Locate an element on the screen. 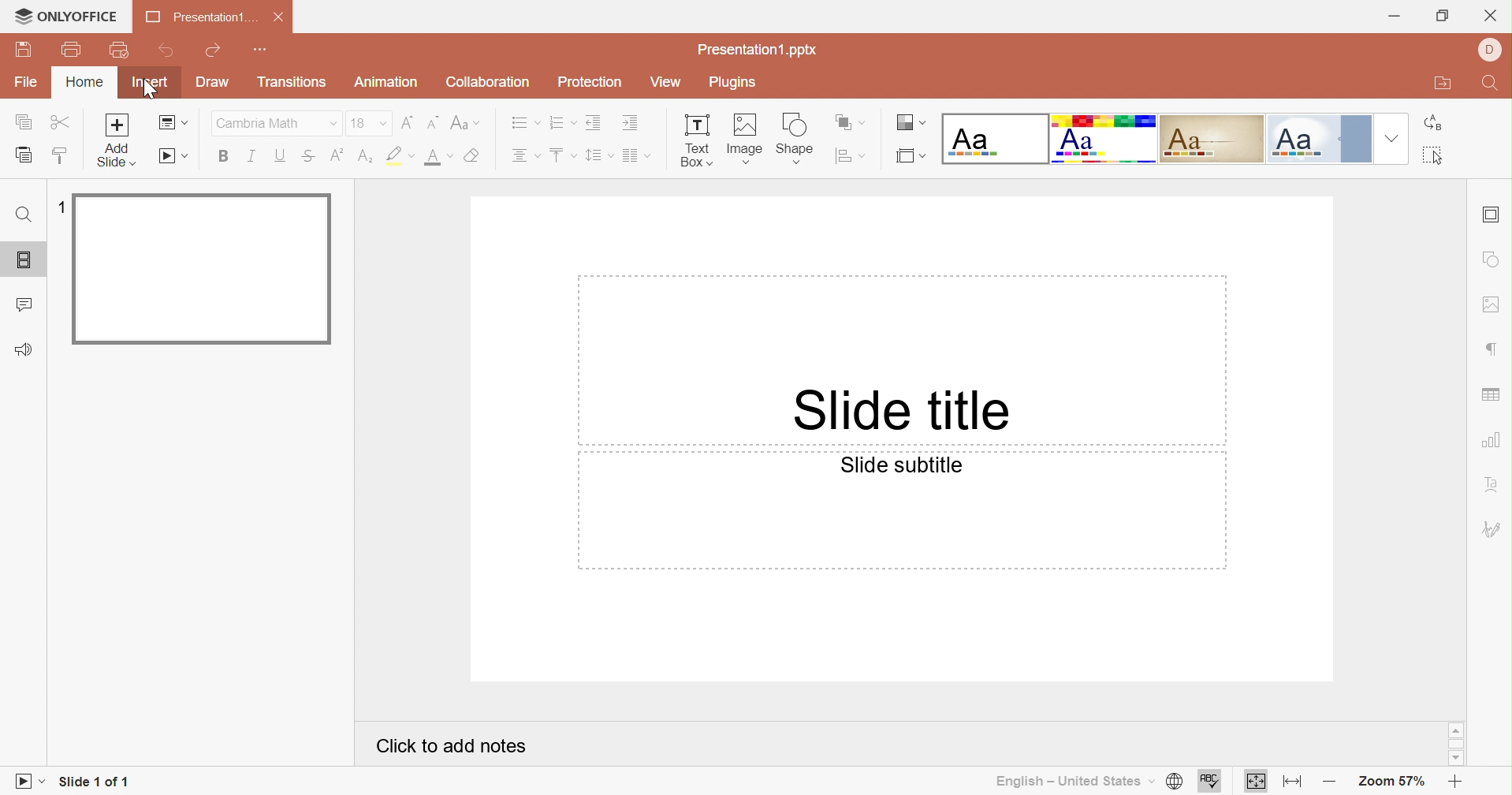 This screenshot has height=795, width=1512. image settings is located at coordinates (1491, 303).